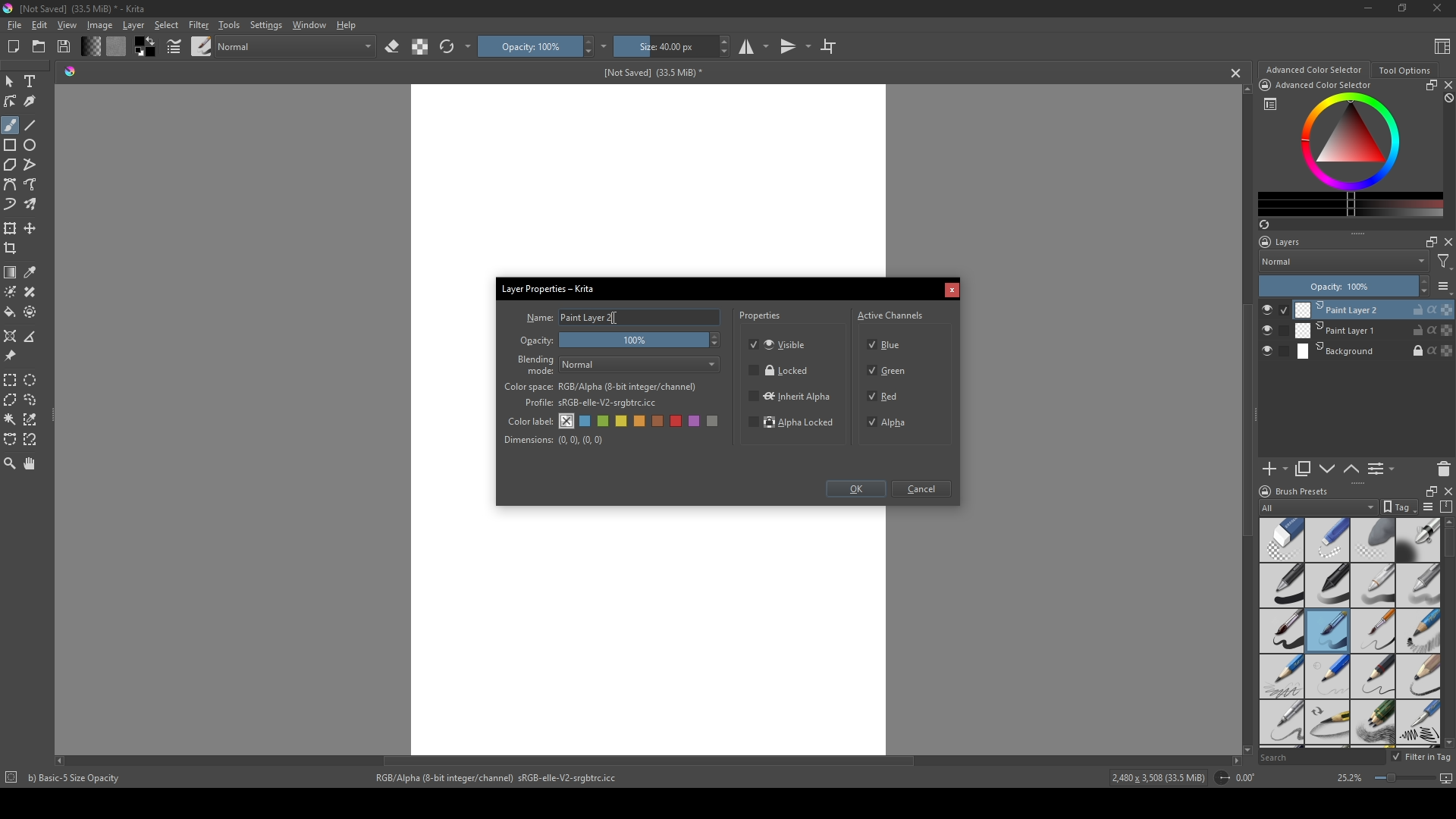  Describe the element at coordinates (447, 47) in the screenshot. I see `refresh` at that location.